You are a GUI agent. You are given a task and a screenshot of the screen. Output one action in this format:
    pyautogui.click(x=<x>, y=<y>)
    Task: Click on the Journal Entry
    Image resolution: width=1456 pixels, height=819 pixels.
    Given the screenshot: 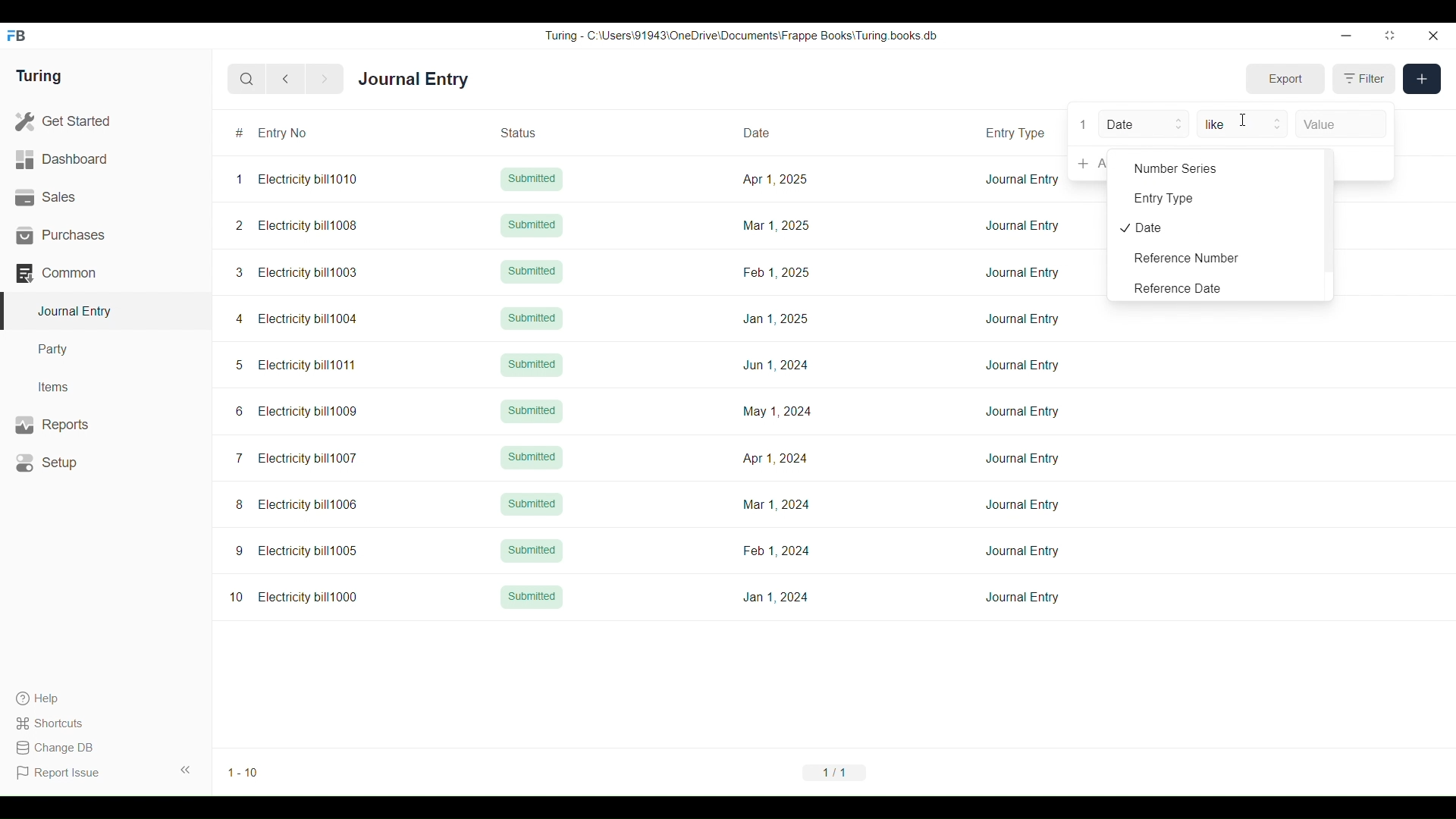 What is the action you would take?
    pyautogui.click(x=1022, y=179)
    